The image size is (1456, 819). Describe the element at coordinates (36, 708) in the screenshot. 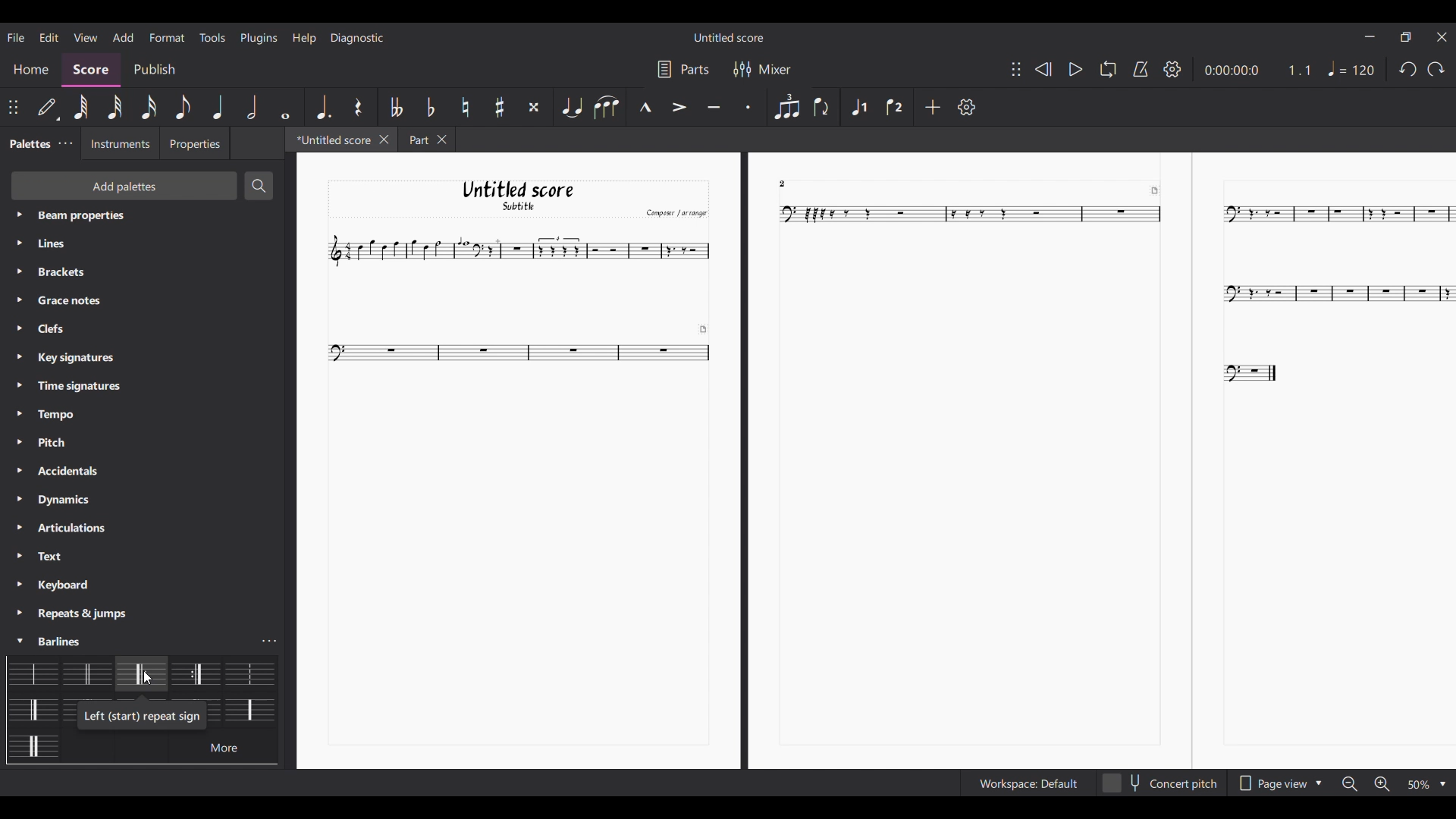

I see `Barline options` at that location.